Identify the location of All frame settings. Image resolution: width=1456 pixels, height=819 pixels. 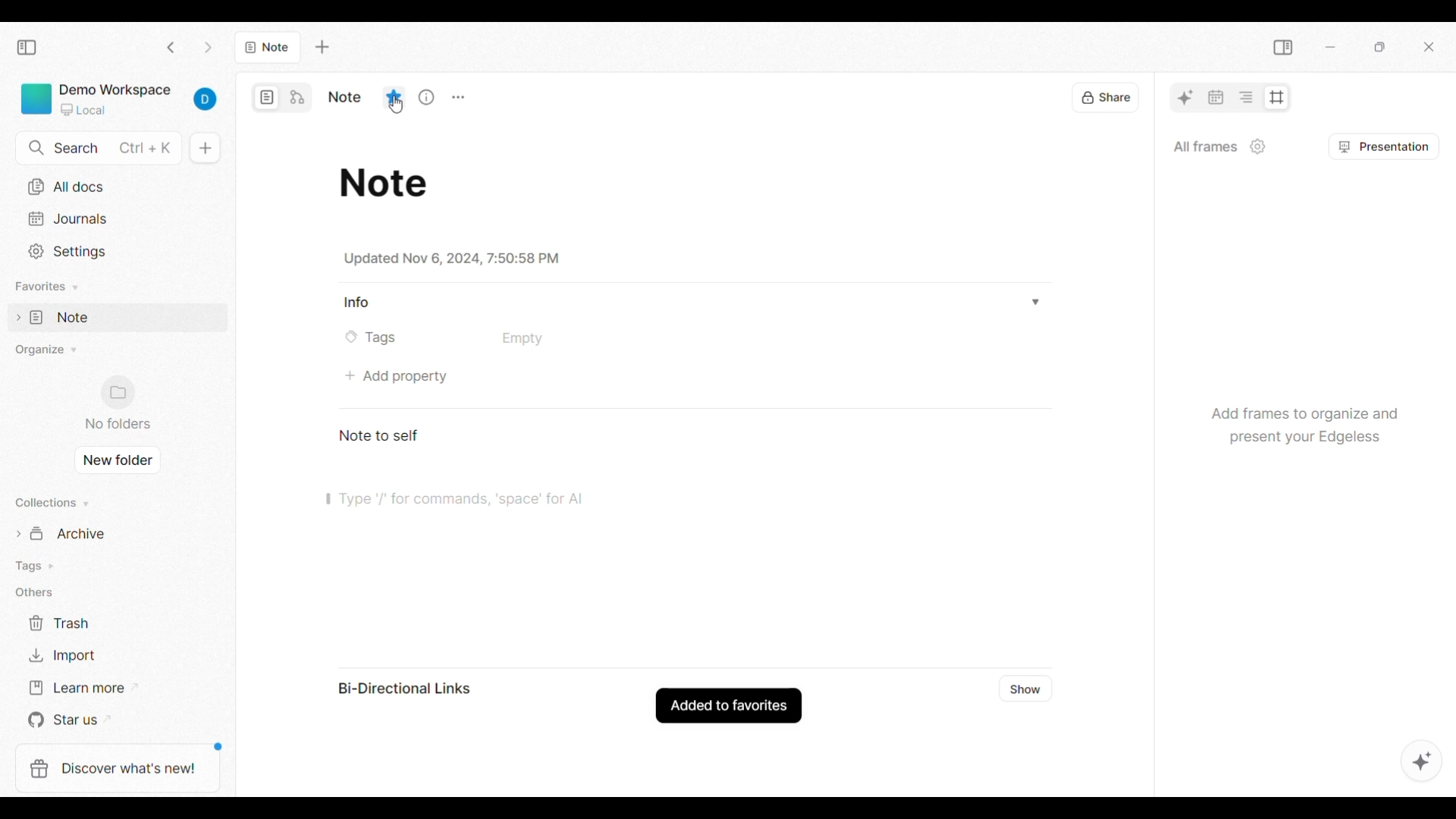
(1258, 146).